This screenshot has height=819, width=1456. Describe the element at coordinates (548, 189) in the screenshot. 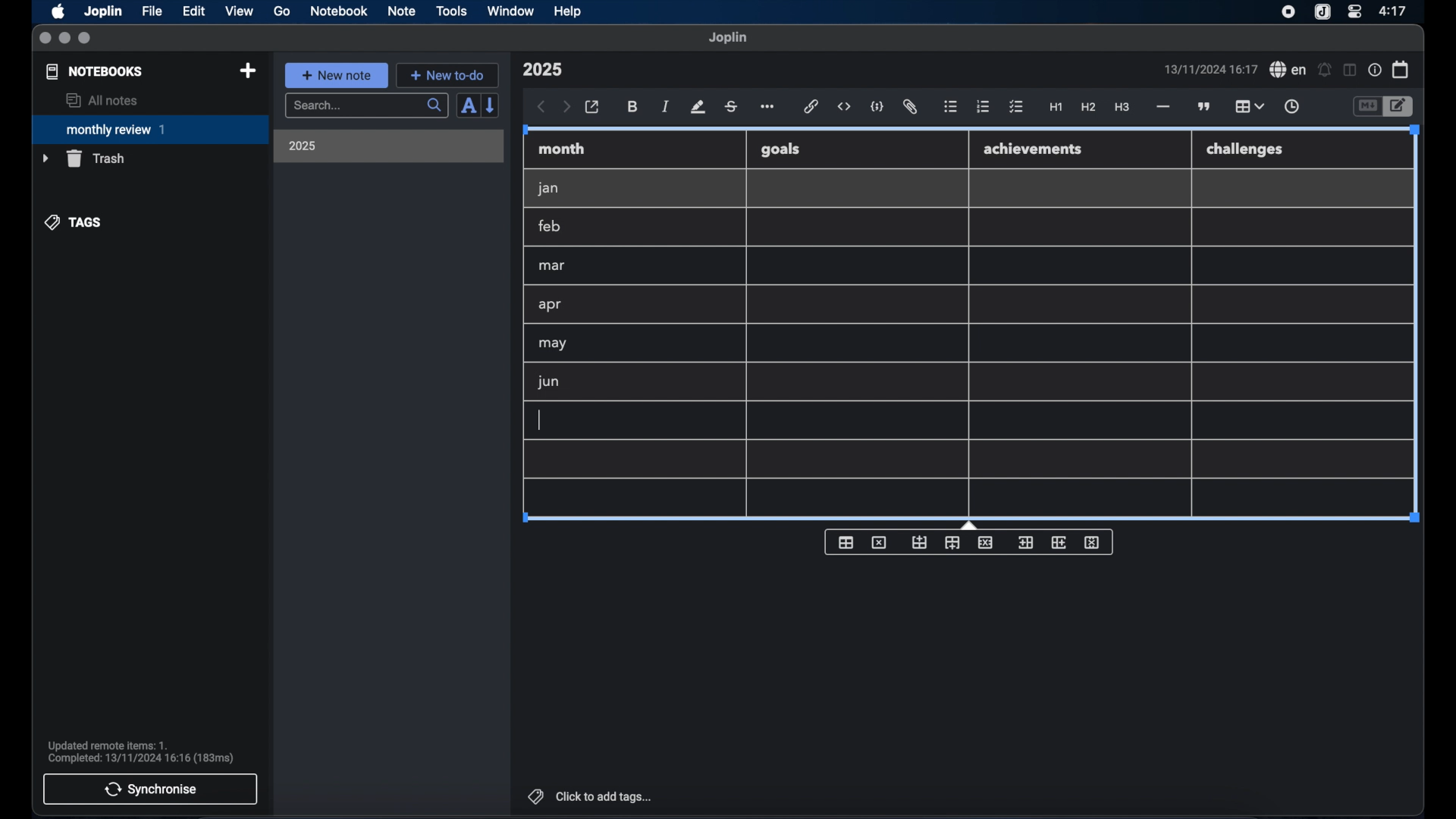

I see `jan` at that location.